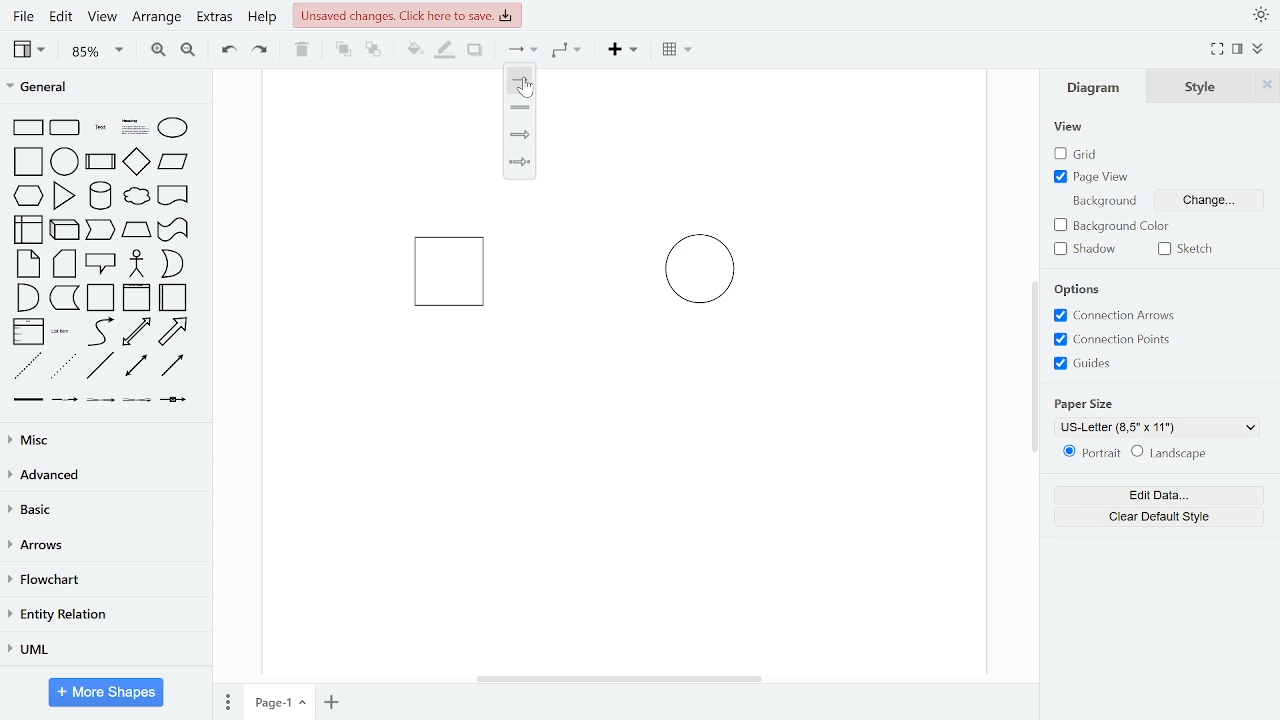  I want to click on cylinder, so click(102, 197).